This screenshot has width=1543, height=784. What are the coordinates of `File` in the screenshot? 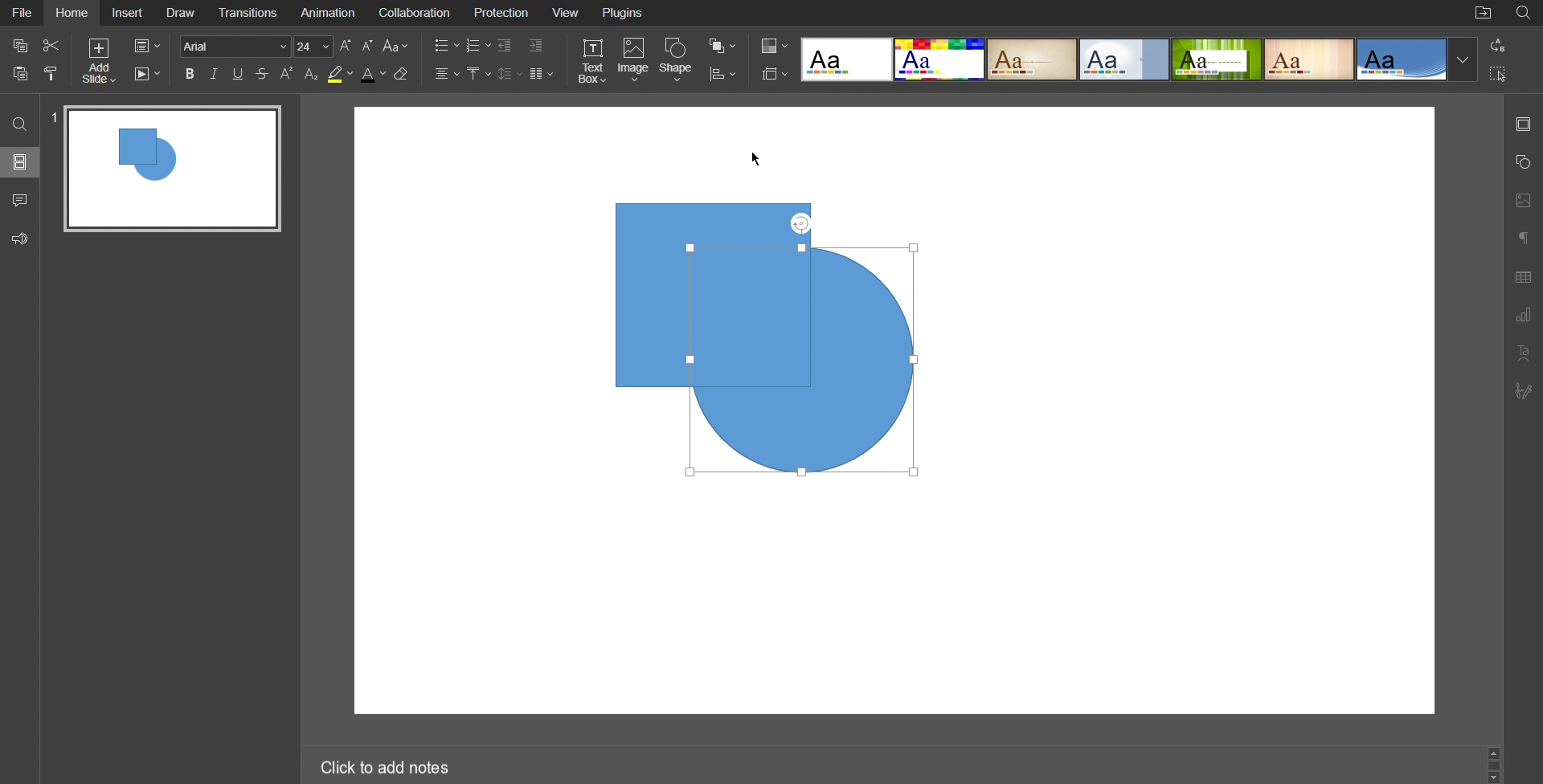 It's located at (21, 13).